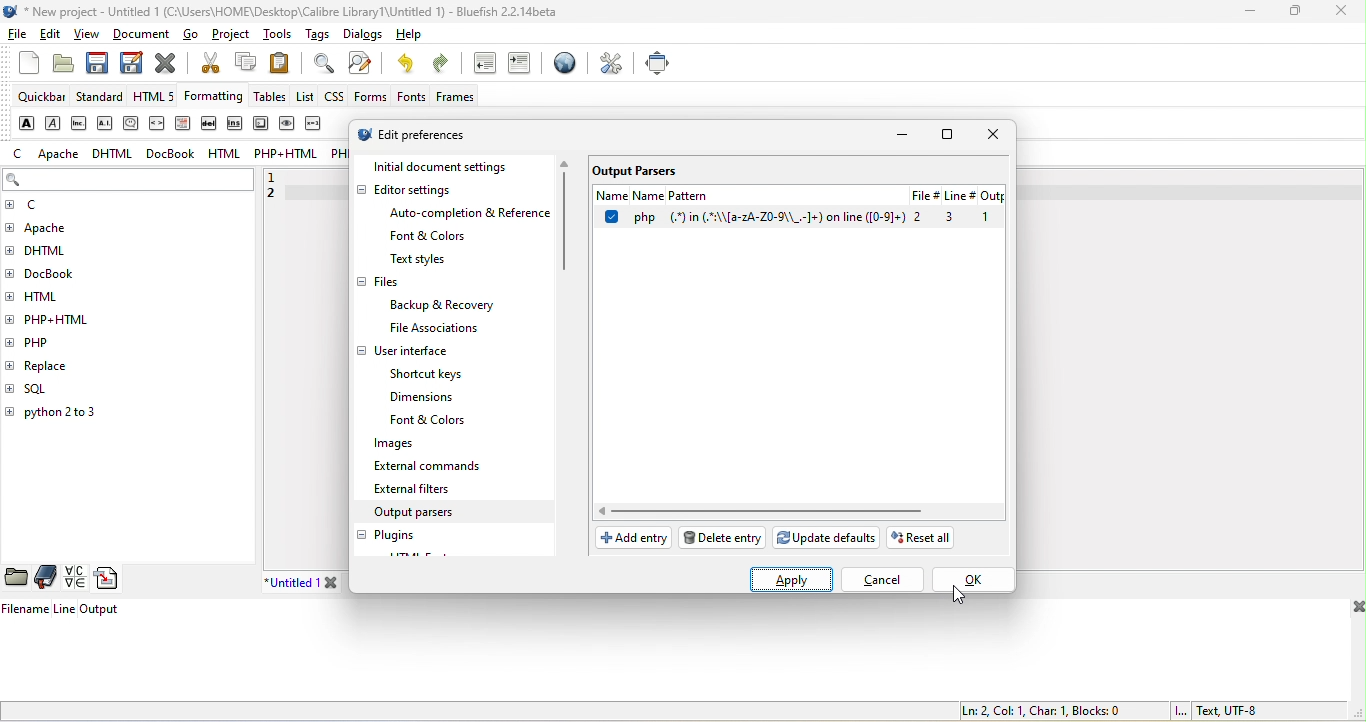 The height and width of the screenshot is (722, 1366). What do you see at coordinates (282, 12) in the screenshot?
I see `title` at bounding box center [282, 12].